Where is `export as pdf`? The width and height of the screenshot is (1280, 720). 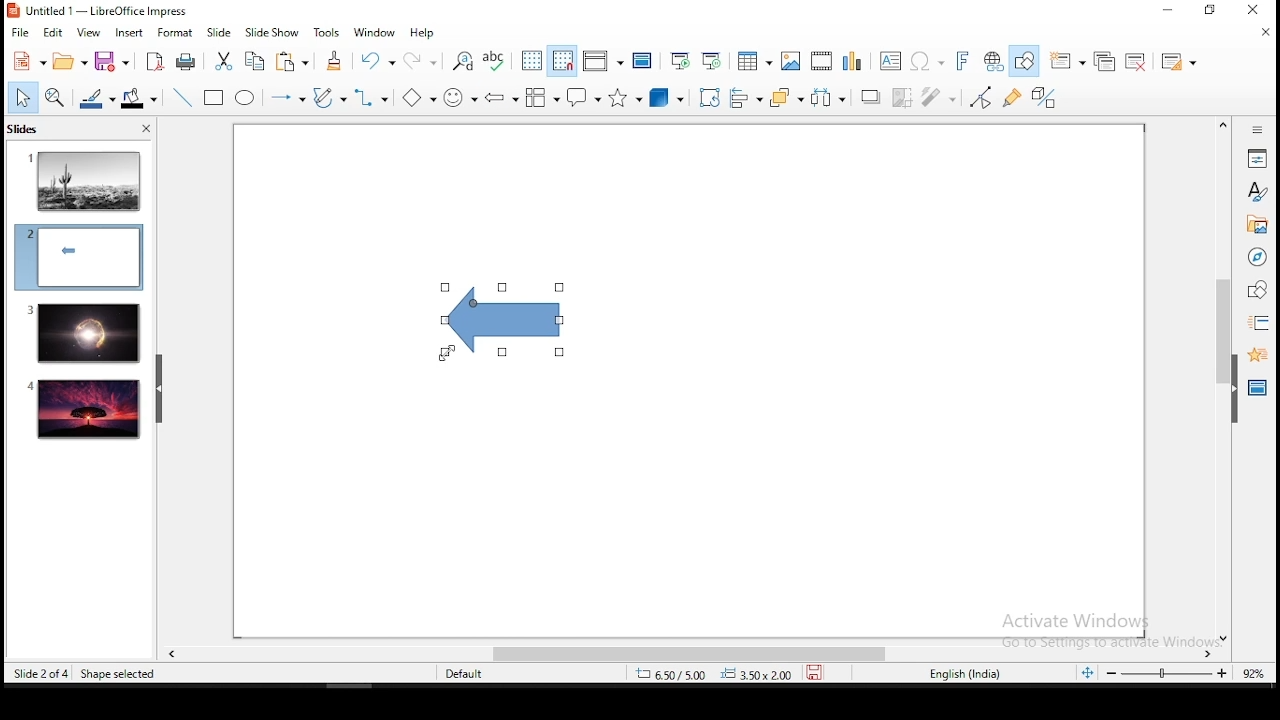 export as pdf is located at coordinates (153, 61).